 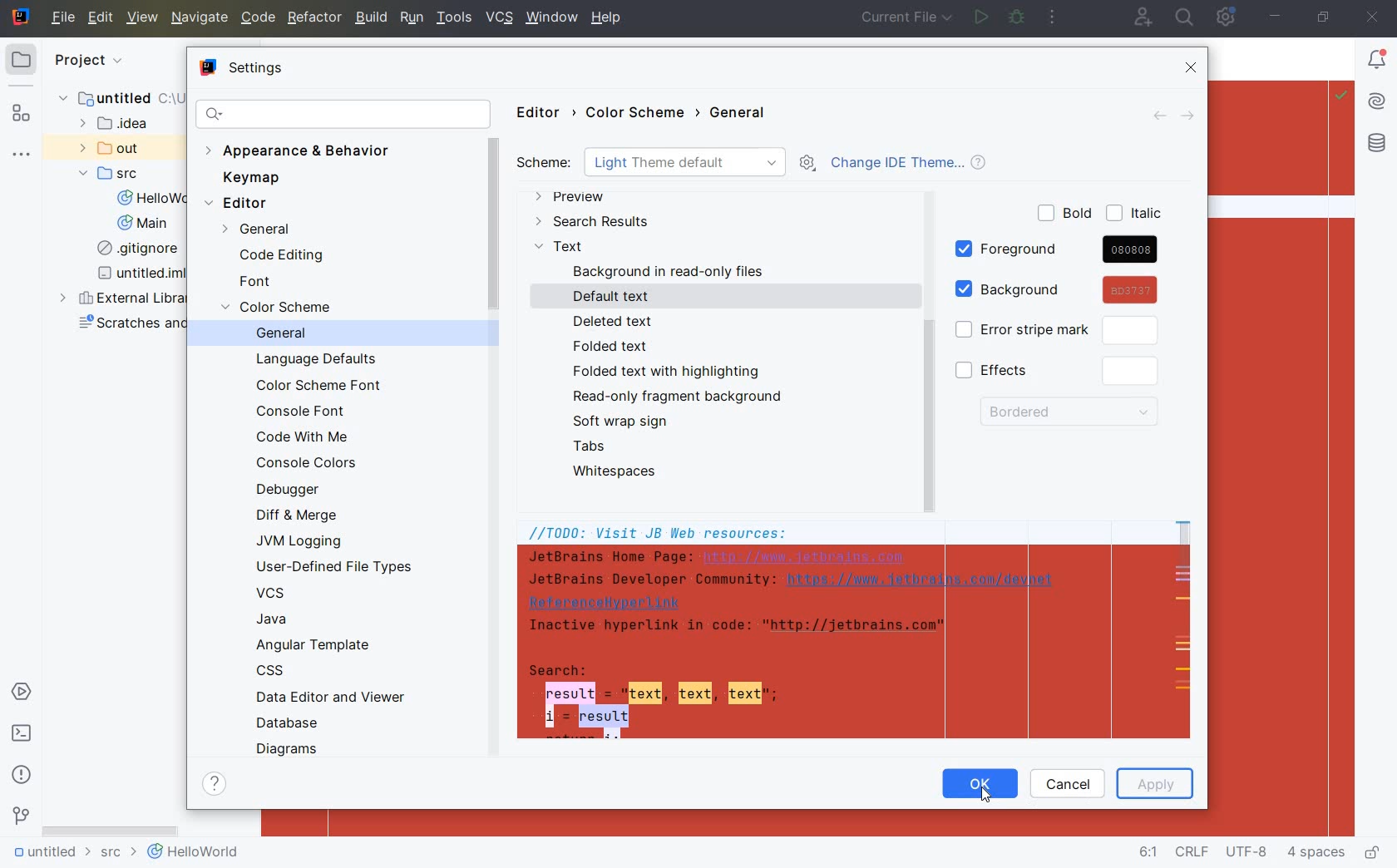 I want to click on external libraries, so click(x=126, y=298).